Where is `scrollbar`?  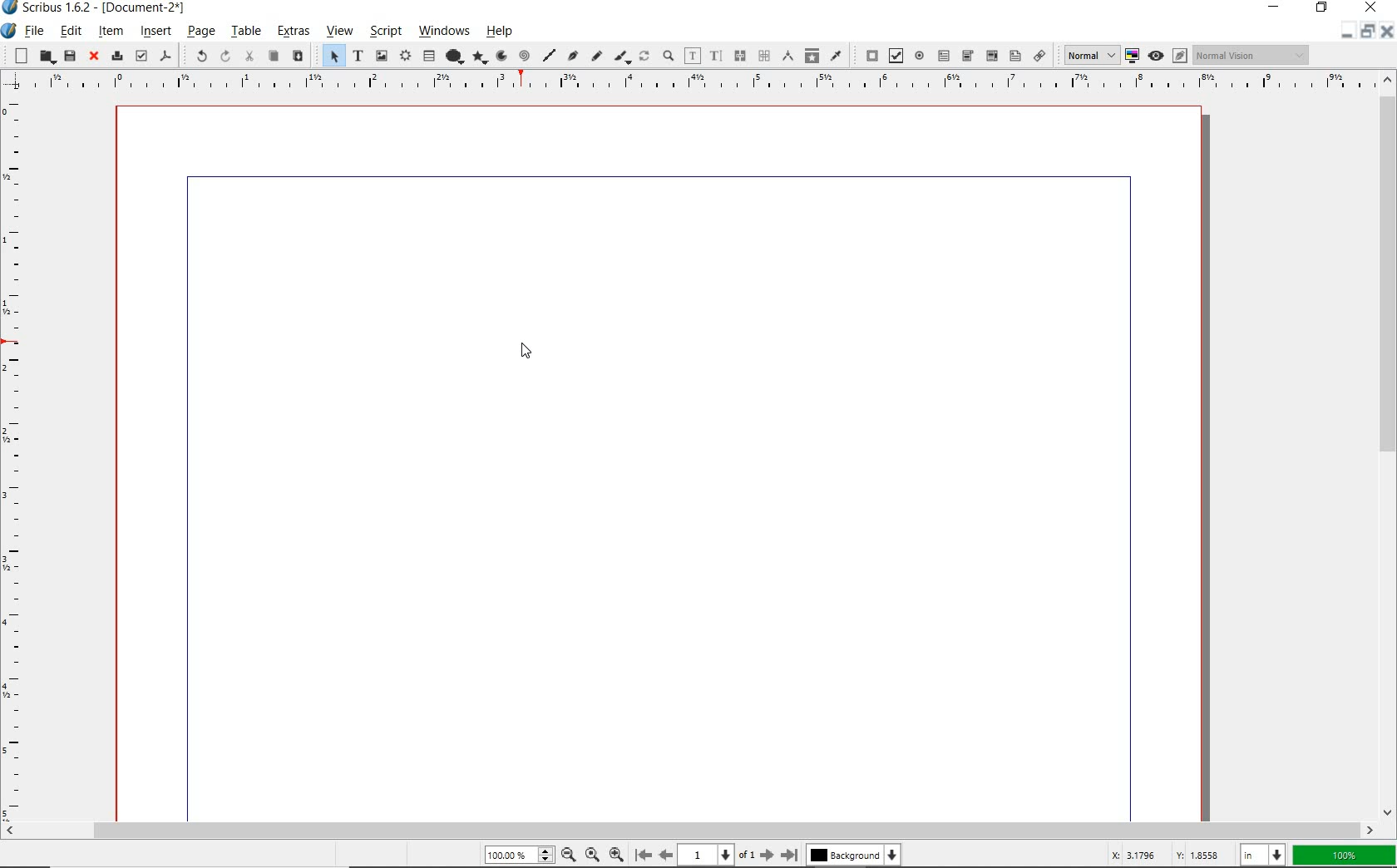
scrollbar is located at coordinates (1389, 446).